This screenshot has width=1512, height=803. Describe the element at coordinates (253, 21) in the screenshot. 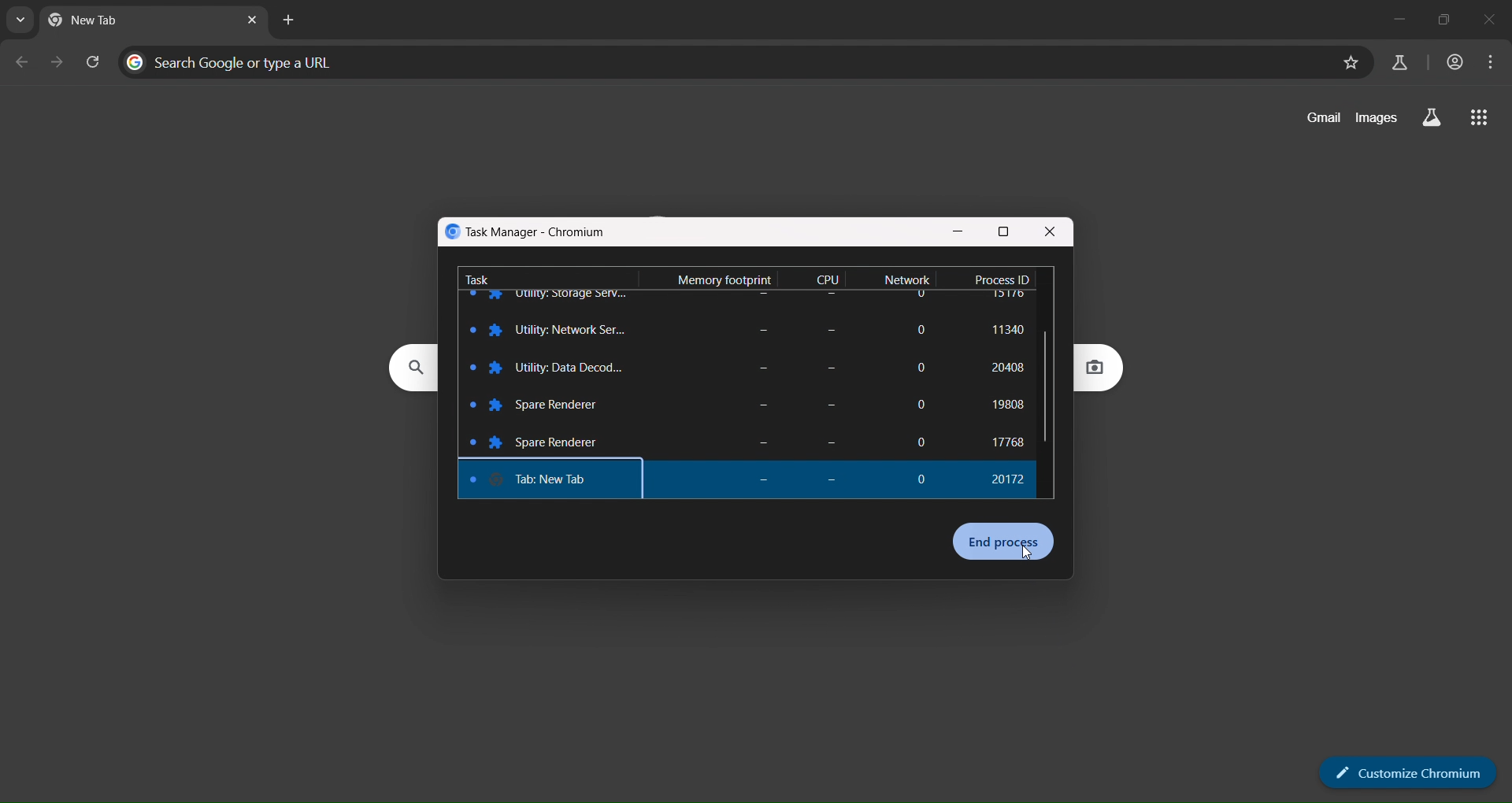

I see `close tab` at that location.